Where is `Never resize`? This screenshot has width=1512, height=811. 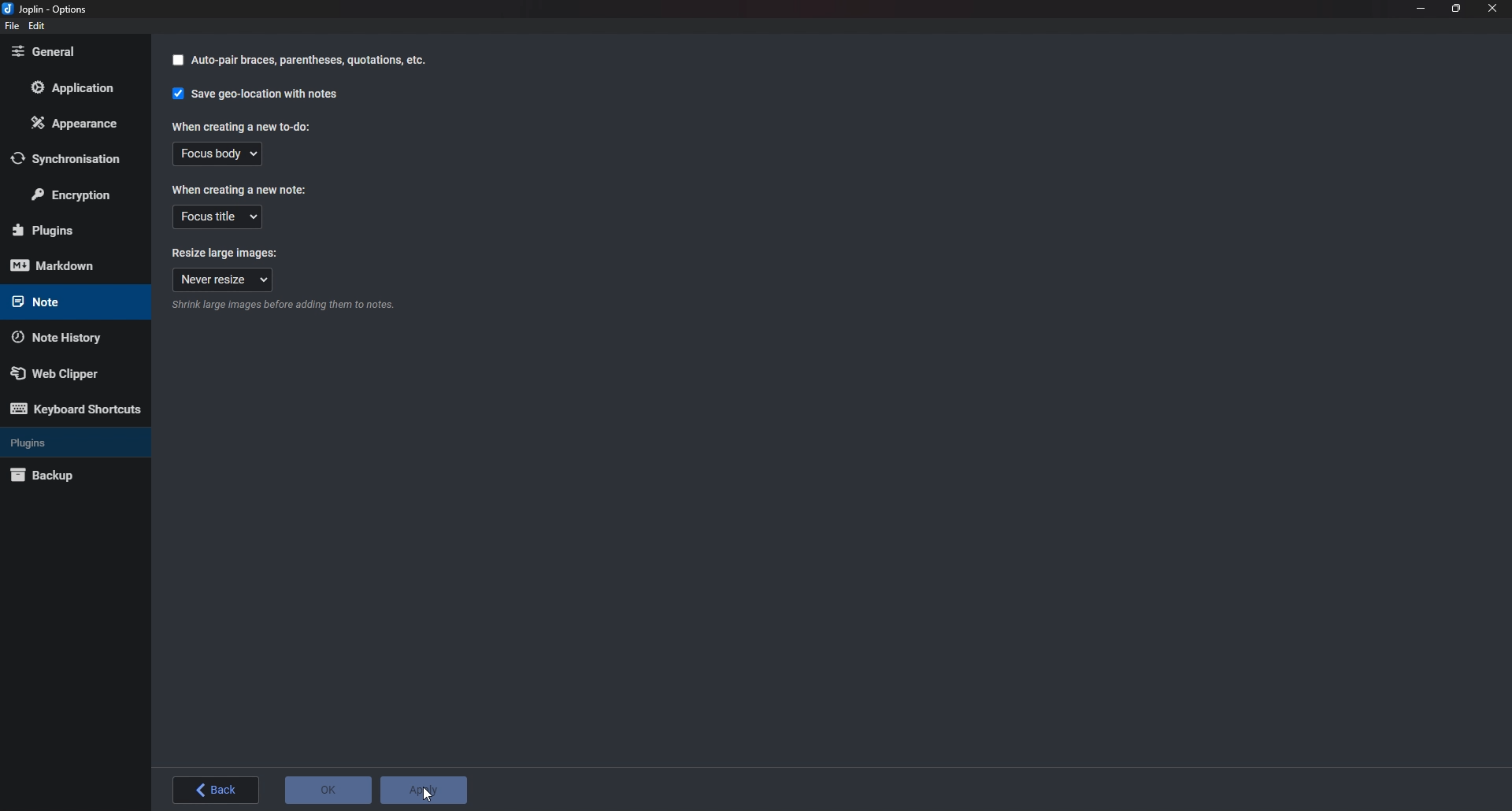 Never resize is located at coordinates (224, 280).